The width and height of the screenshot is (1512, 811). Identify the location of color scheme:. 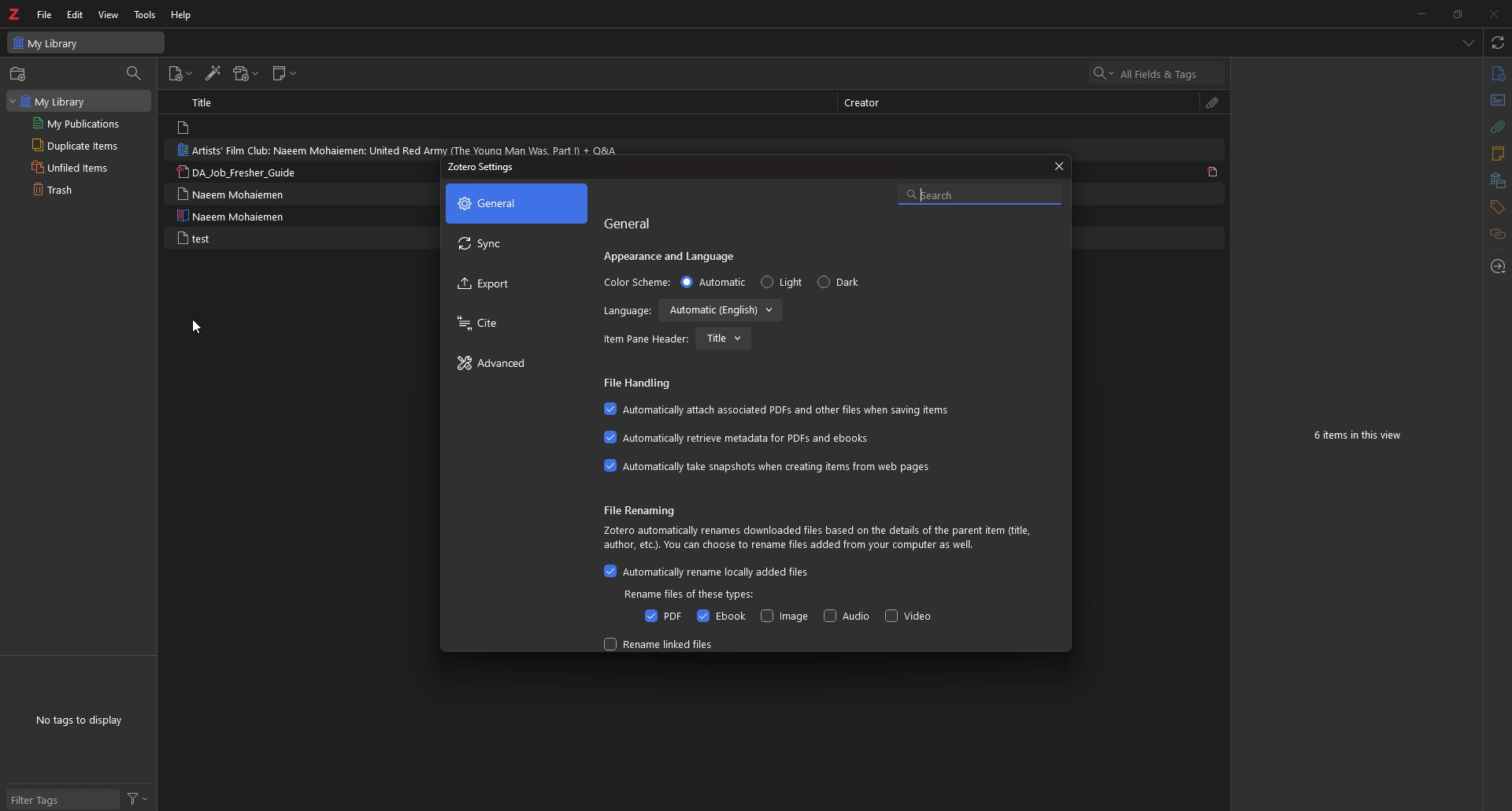
(635, 281).